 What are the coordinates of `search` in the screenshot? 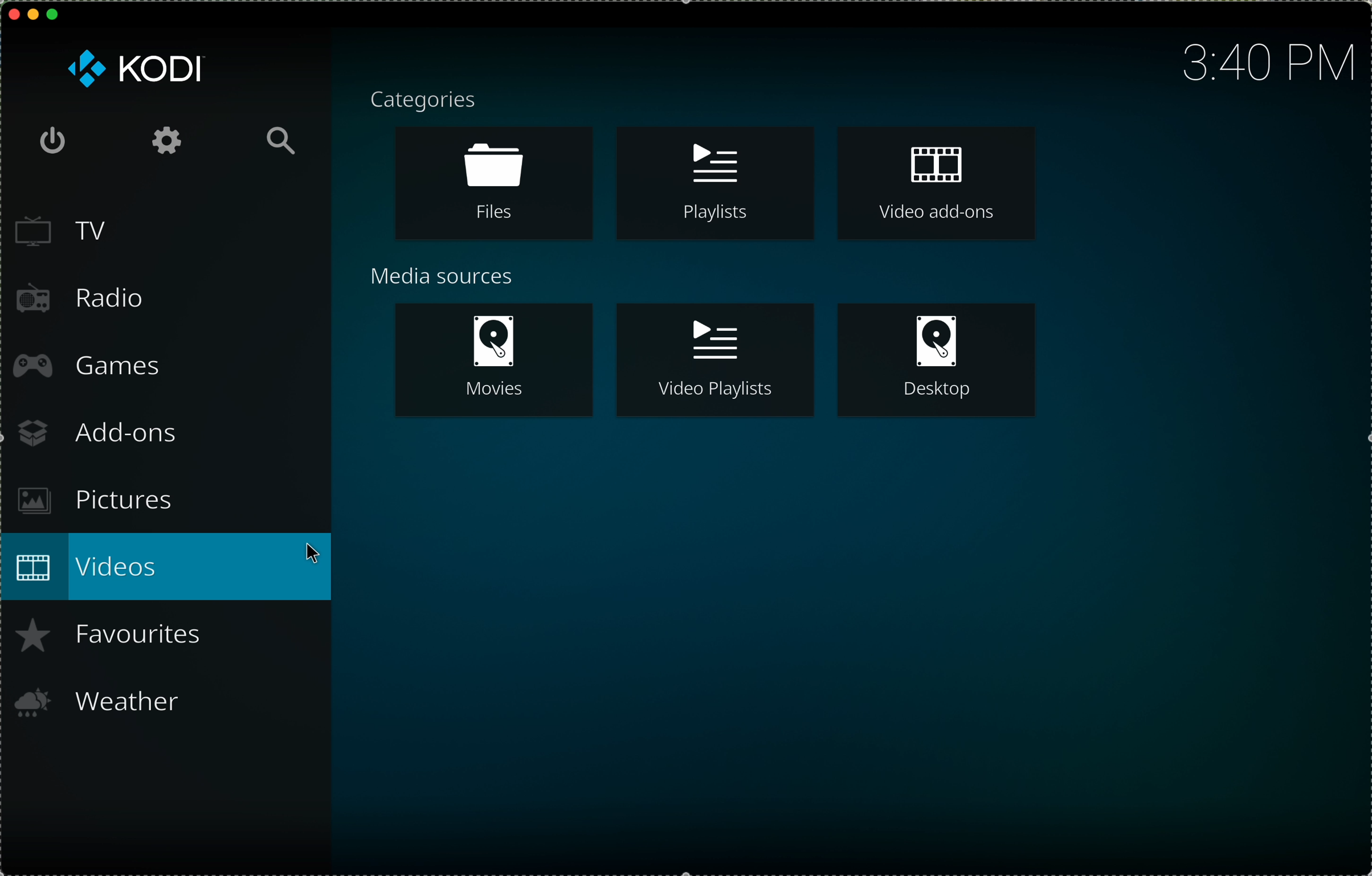 It's located at (282, 141).